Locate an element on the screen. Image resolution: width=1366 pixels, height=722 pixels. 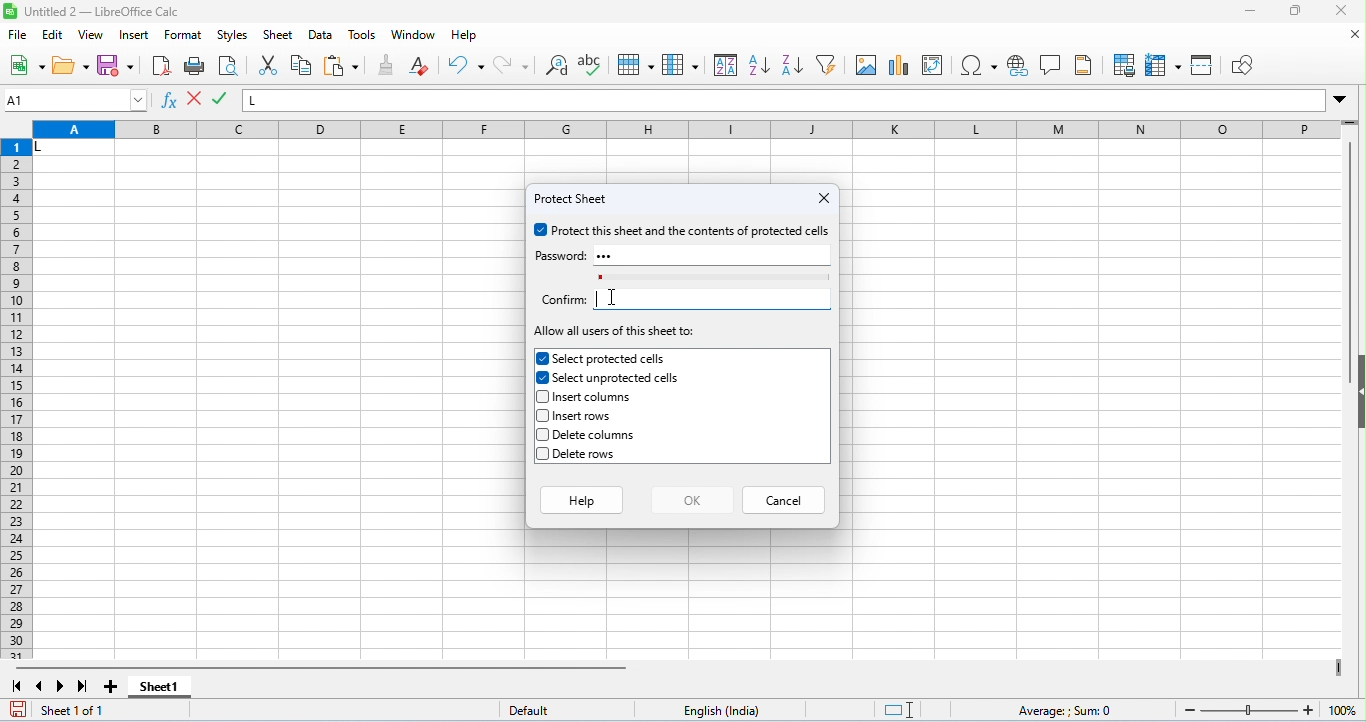
sheet 1 is located at coordinates (160, 688).